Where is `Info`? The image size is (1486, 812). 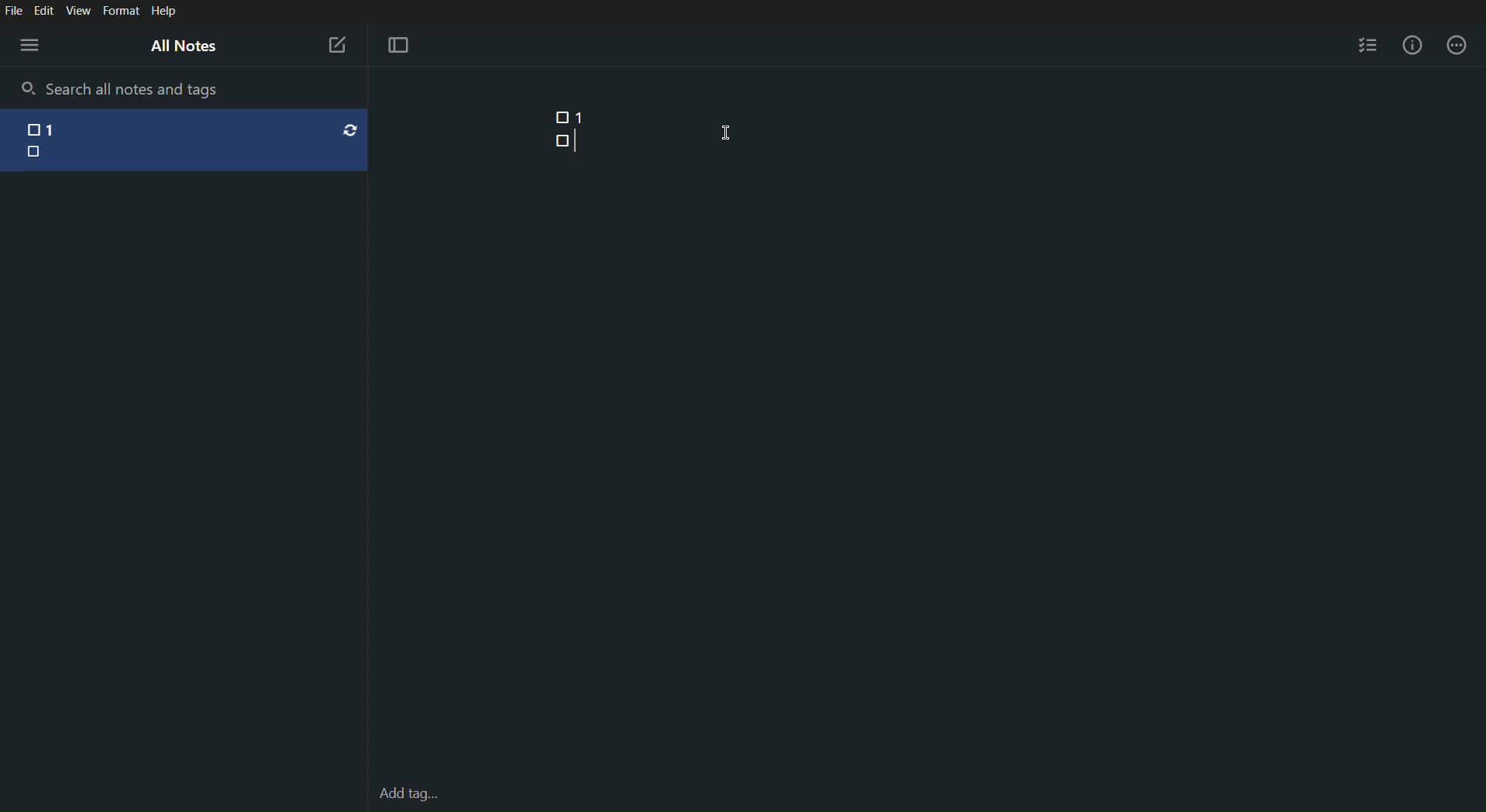
Info is located at coordinates (1416, 45).